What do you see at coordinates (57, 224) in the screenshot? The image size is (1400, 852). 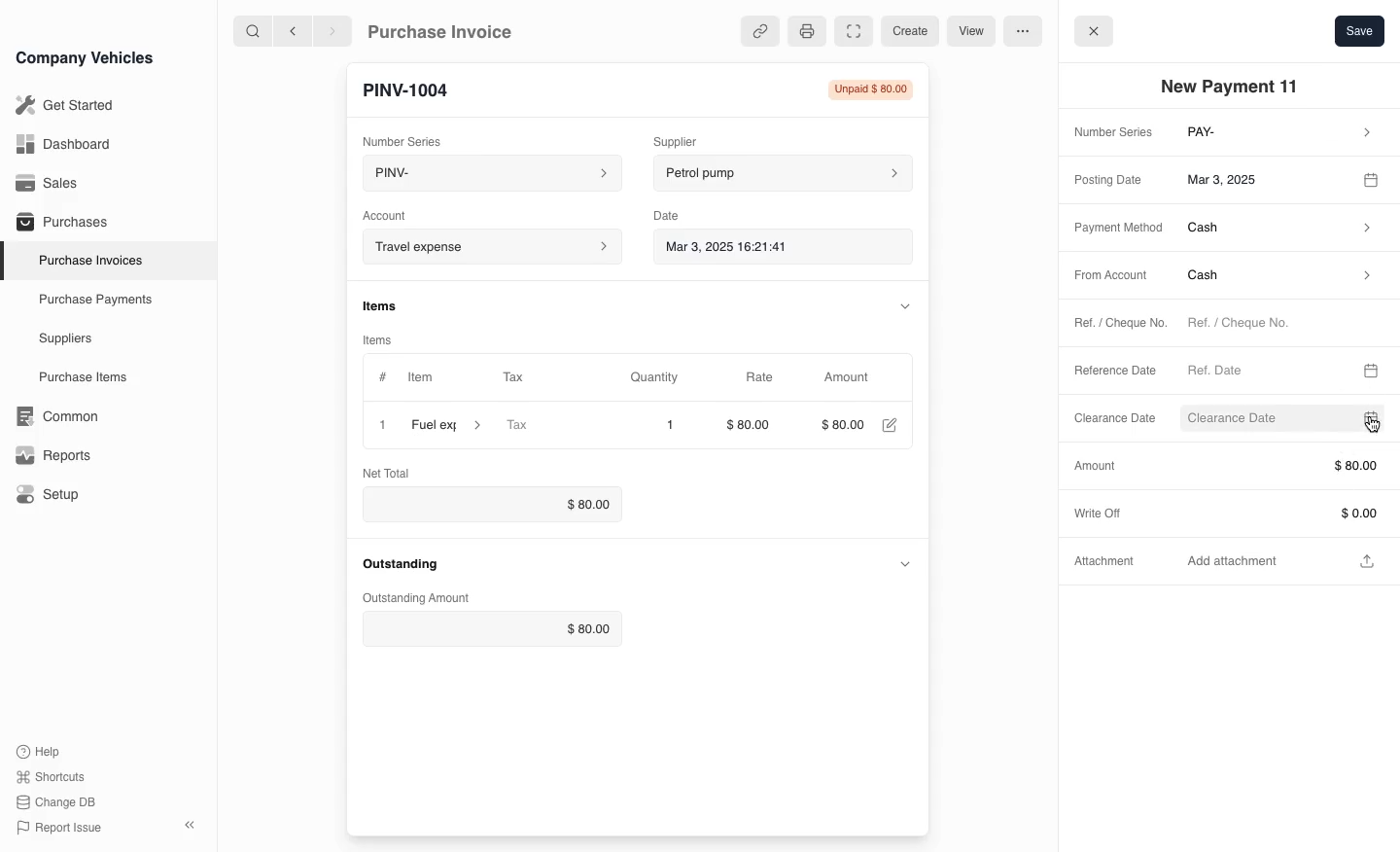 I see `Purchases` at bounding box center [57, 224].